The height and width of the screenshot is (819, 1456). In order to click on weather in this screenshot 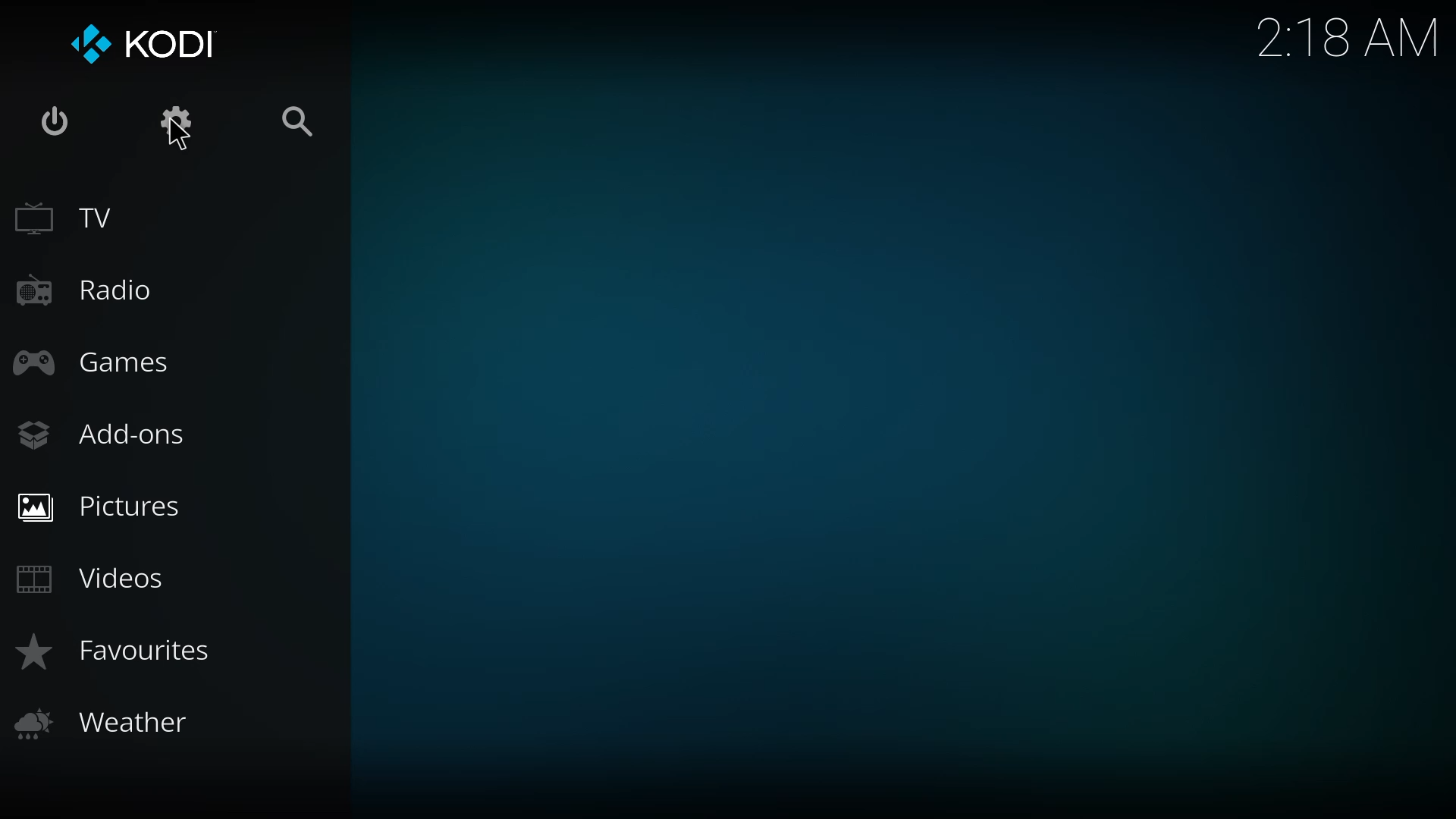, I will do `click(109, 724)`.